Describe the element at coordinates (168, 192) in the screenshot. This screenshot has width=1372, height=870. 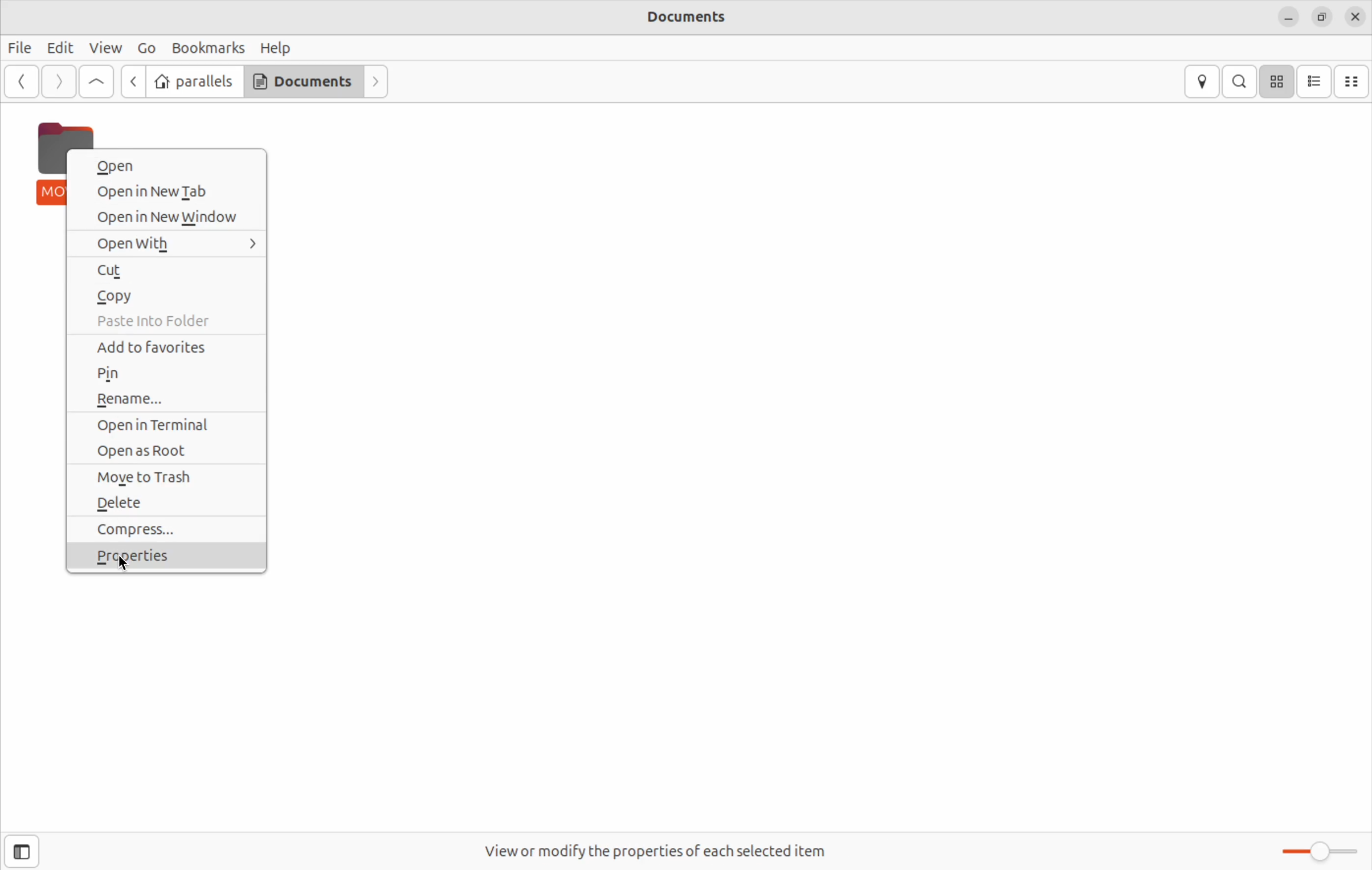
I see `open in new tab` at that location.